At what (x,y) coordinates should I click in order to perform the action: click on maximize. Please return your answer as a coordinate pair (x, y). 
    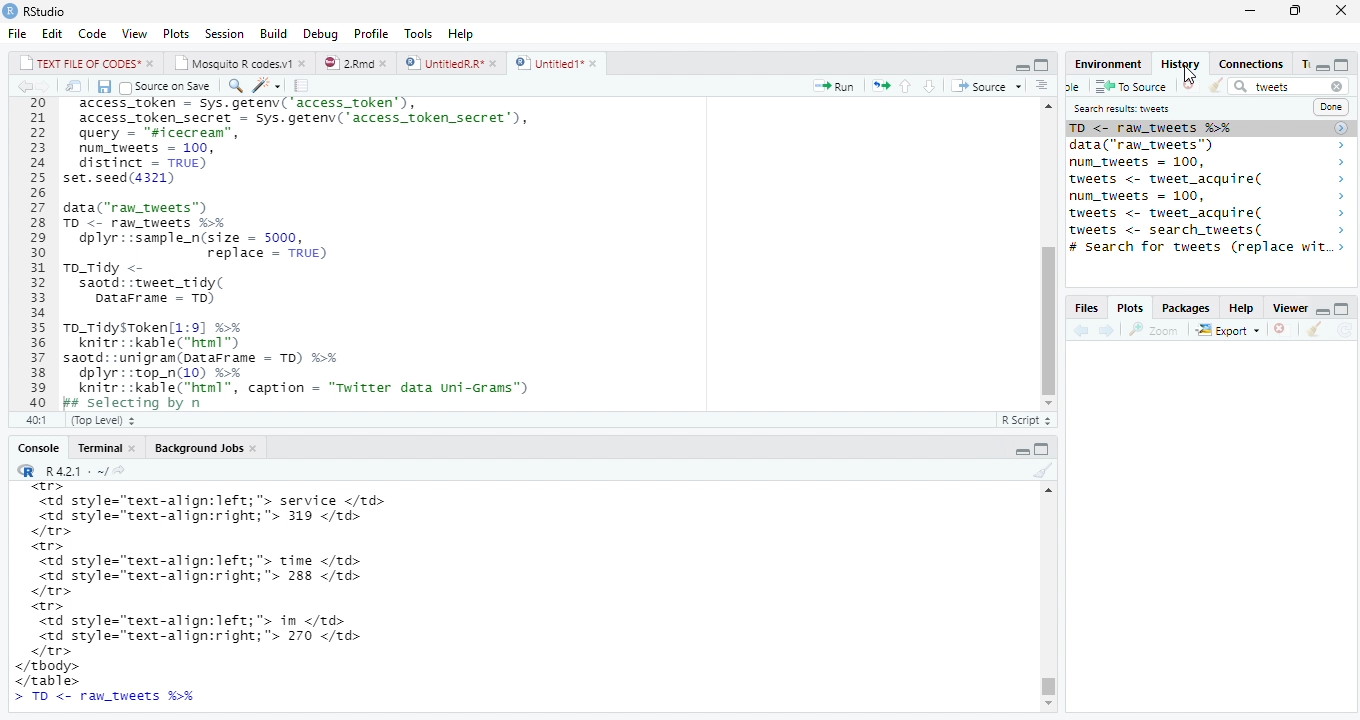
    Looking at the image, I should click on (1301, 9).